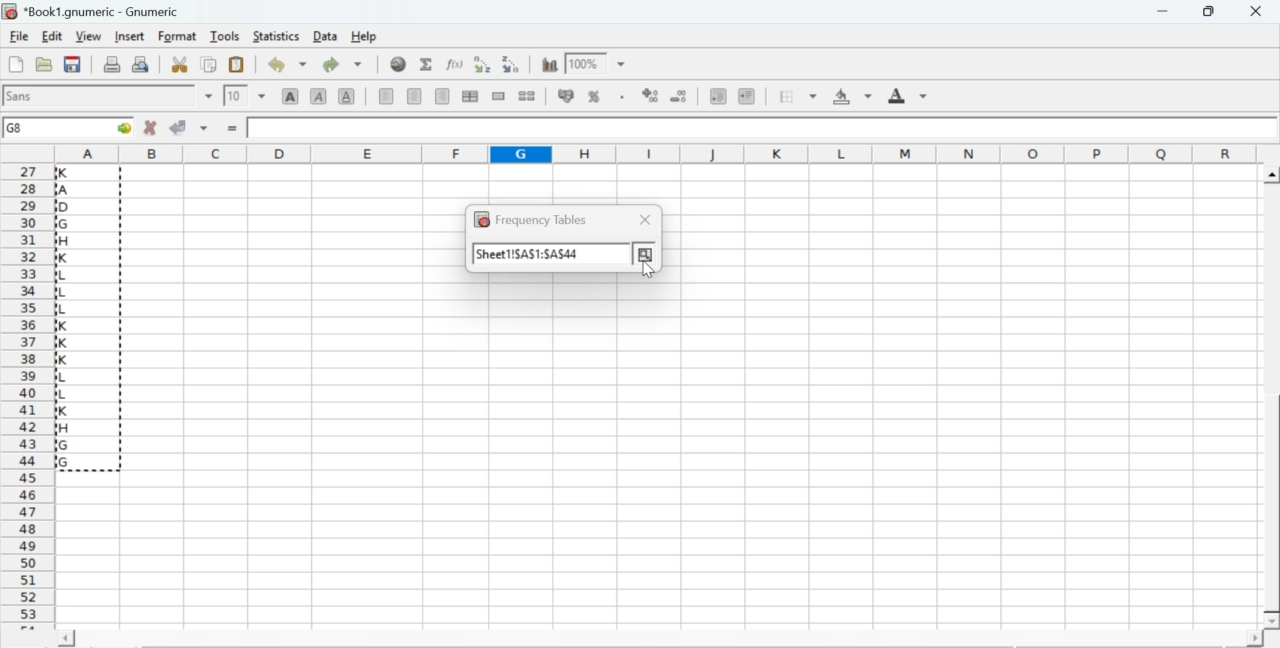 Image resolution: width=1280 pixels, height=648 pixels. What do you see at coordinates (746, 97) in the screenshot?
I see `increase indent` at bounding box center [746, 97].